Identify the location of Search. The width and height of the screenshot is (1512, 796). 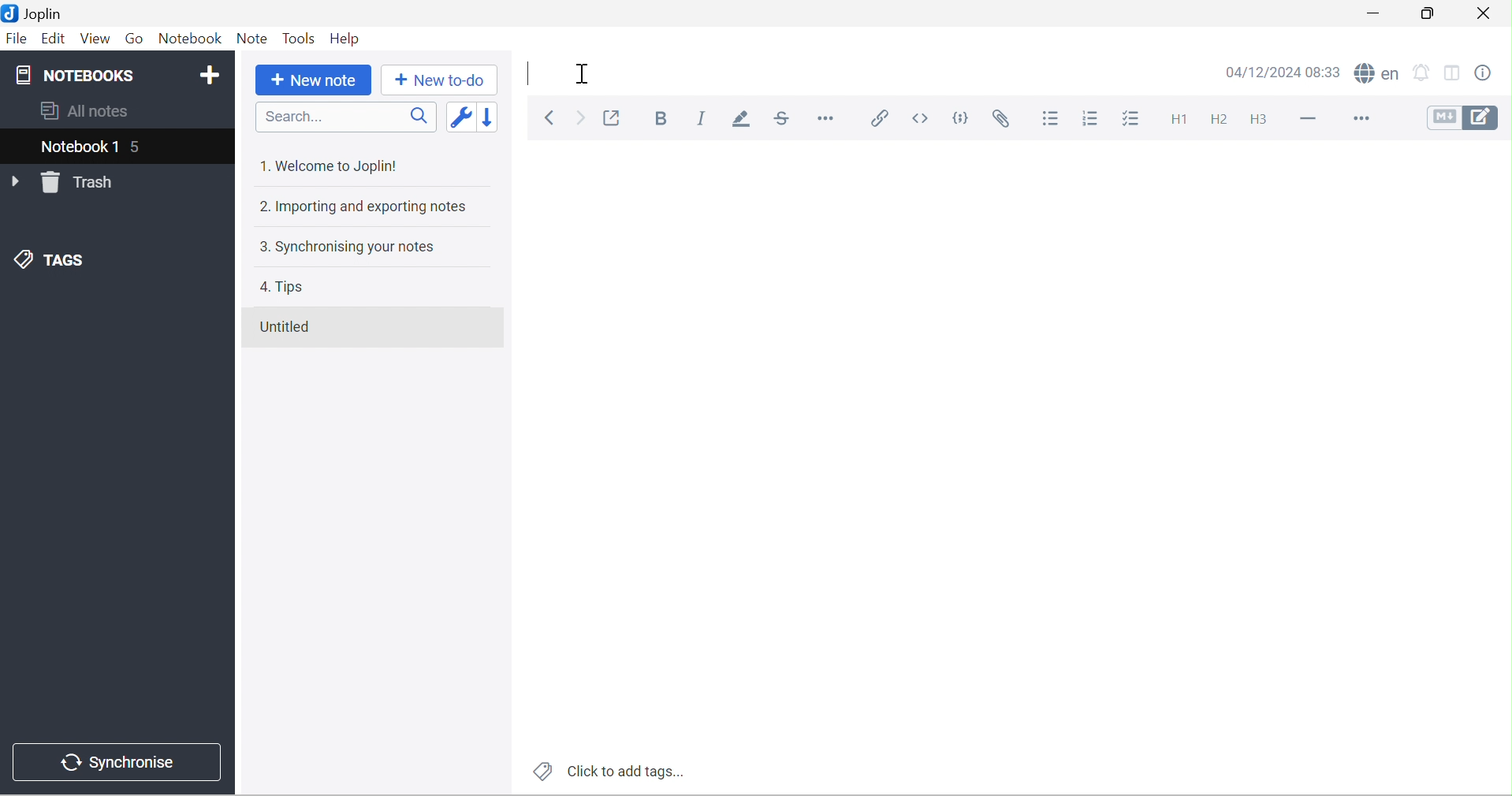
(345, 117).